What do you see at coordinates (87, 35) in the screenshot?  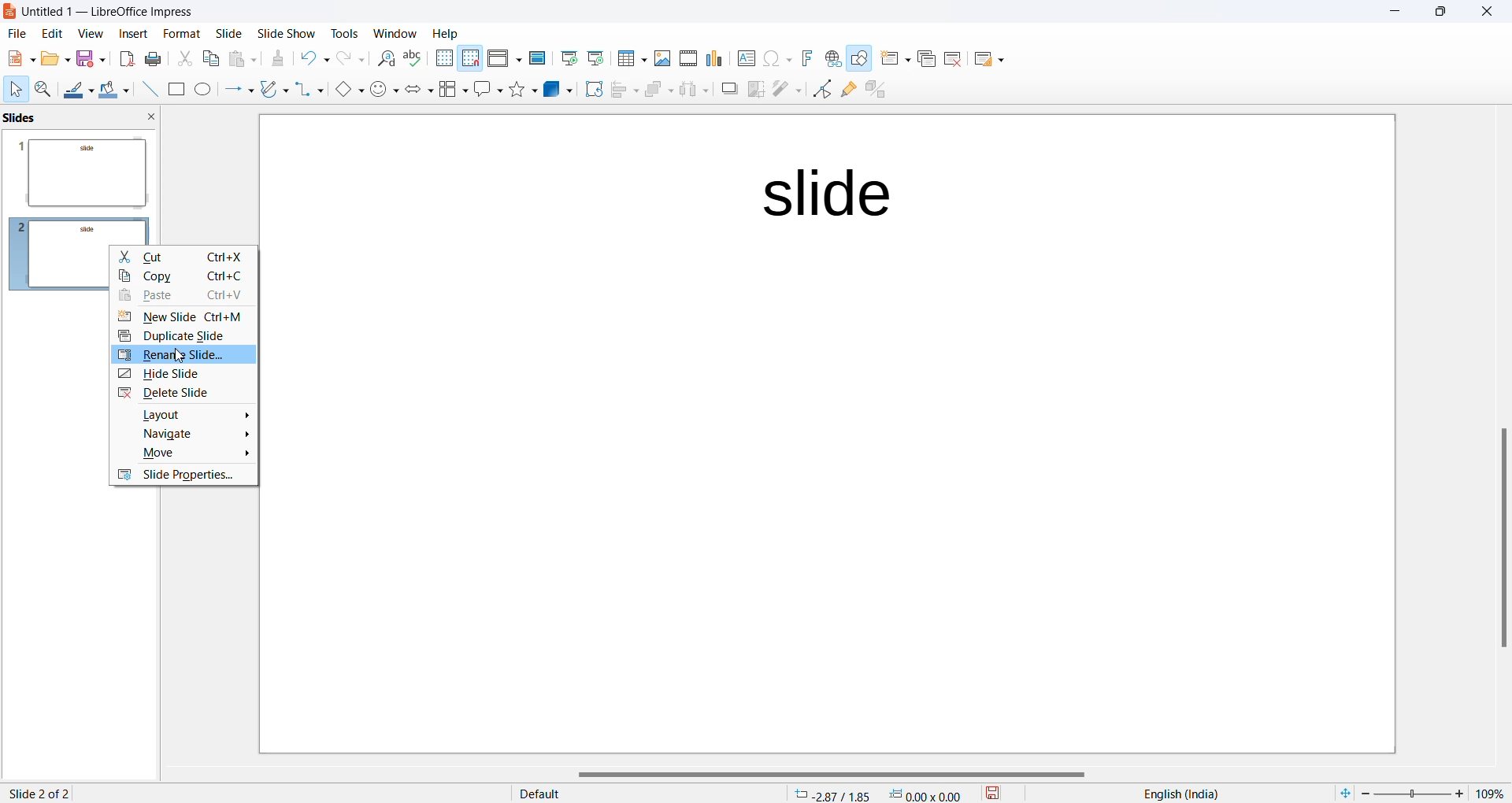 I see `view` at bounding box center [87, 35].